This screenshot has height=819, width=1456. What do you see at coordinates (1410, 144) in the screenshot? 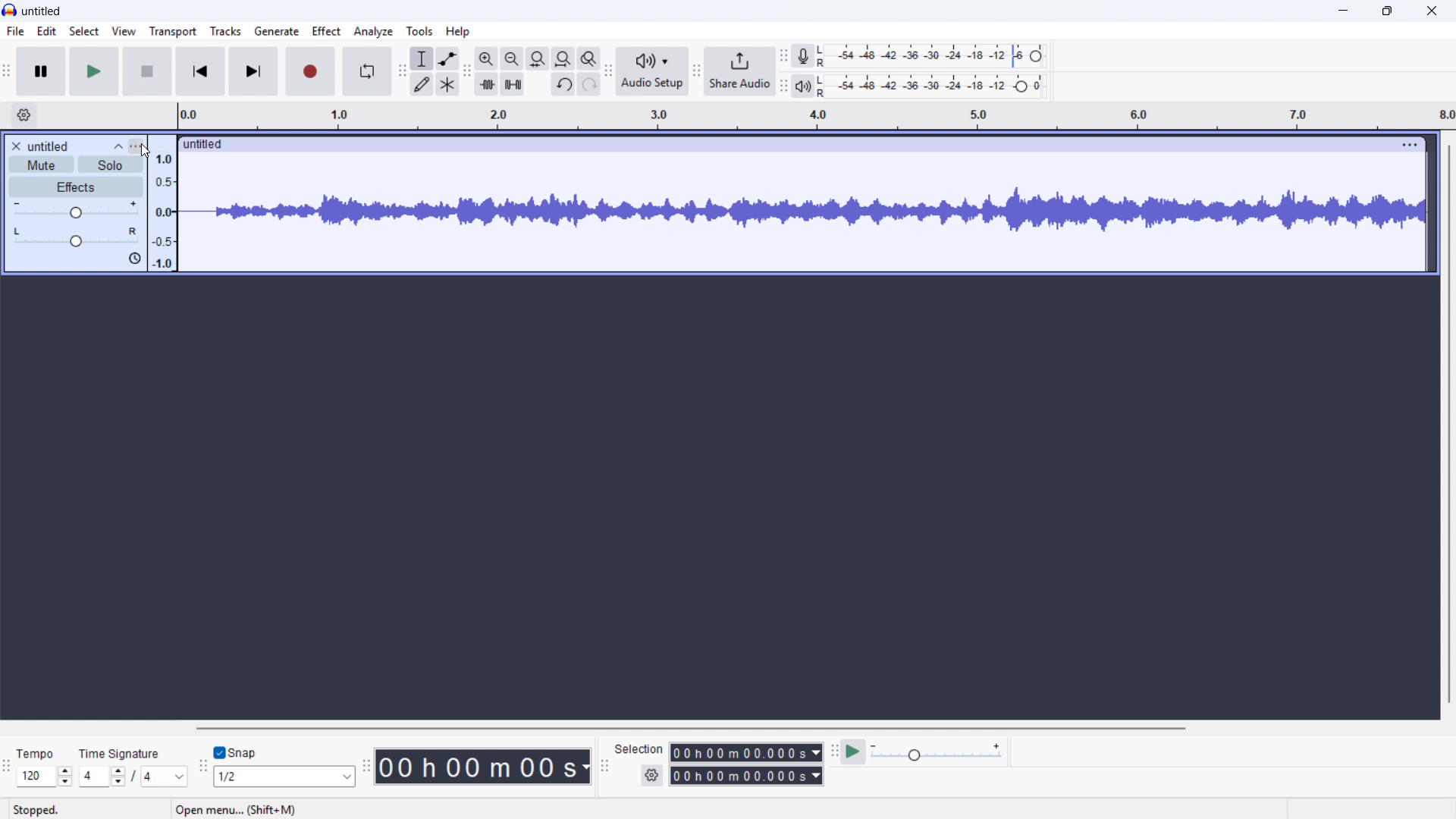
I see `Track options ` at bounding box center [1410, 144].